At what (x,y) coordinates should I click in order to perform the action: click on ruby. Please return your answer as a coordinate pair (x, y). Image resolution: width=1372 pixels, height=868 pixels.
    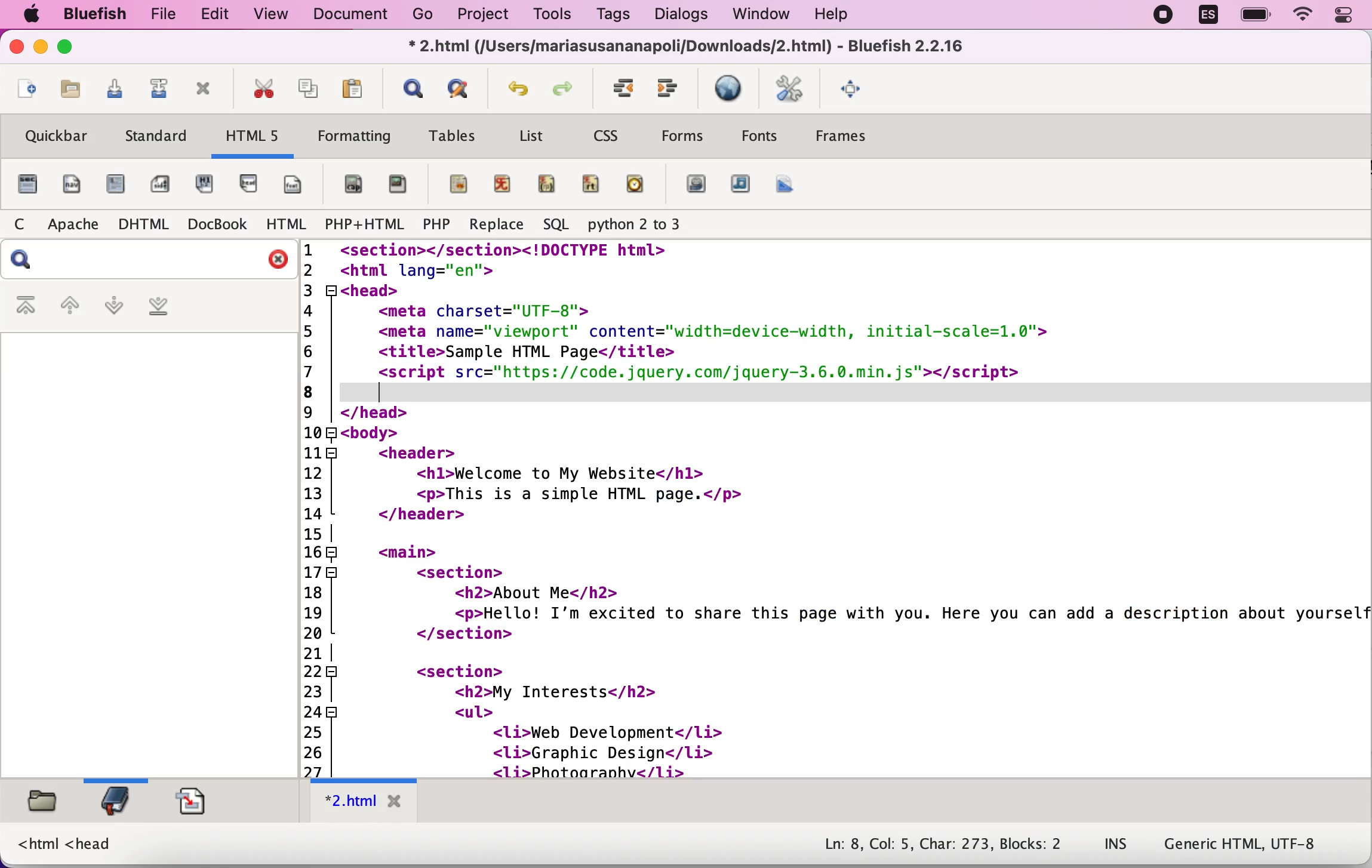
    Looking at the image, I should click on (507, 181).